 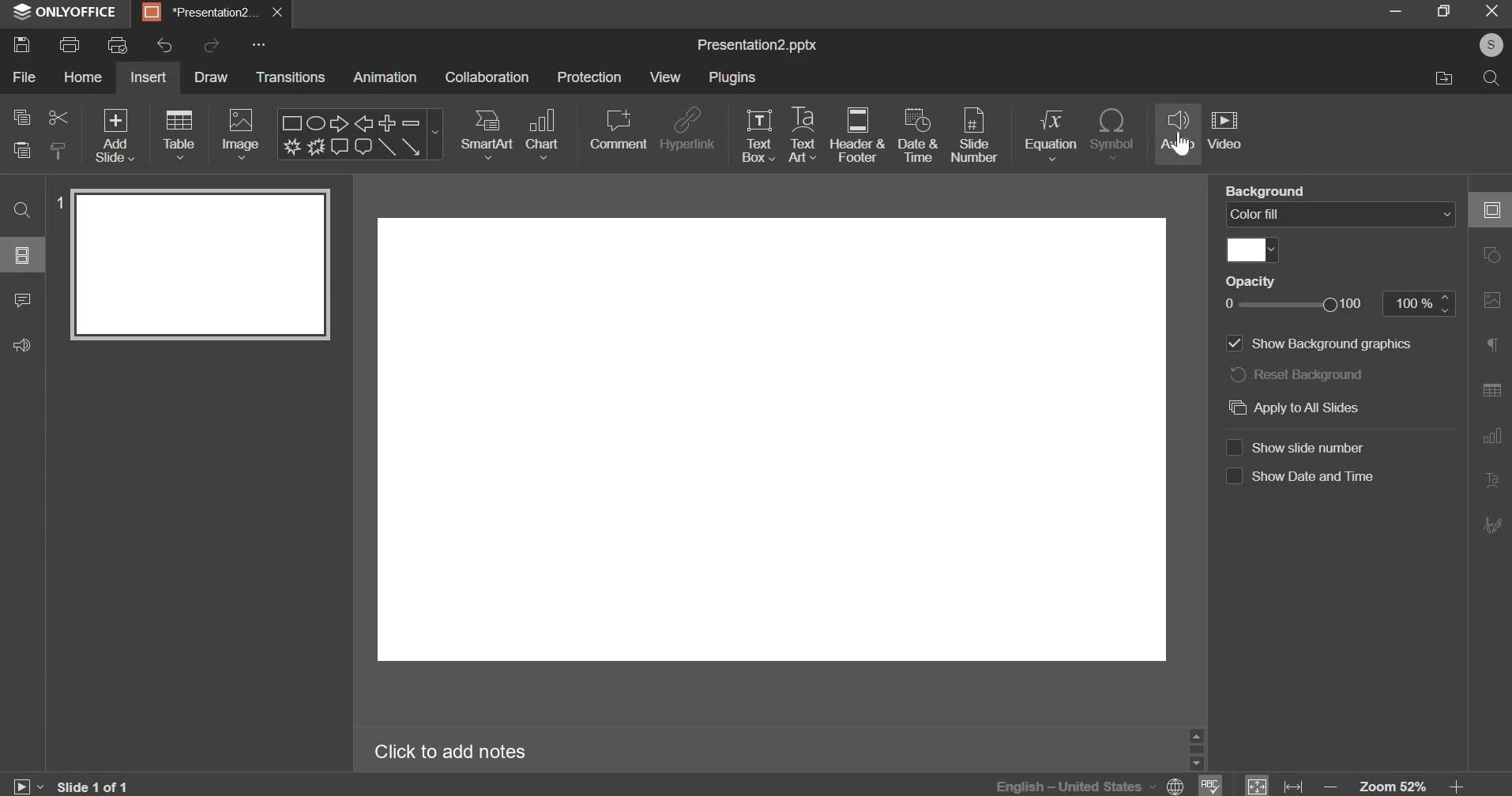 I want to click on table settings, so click(x=1491, y=389).